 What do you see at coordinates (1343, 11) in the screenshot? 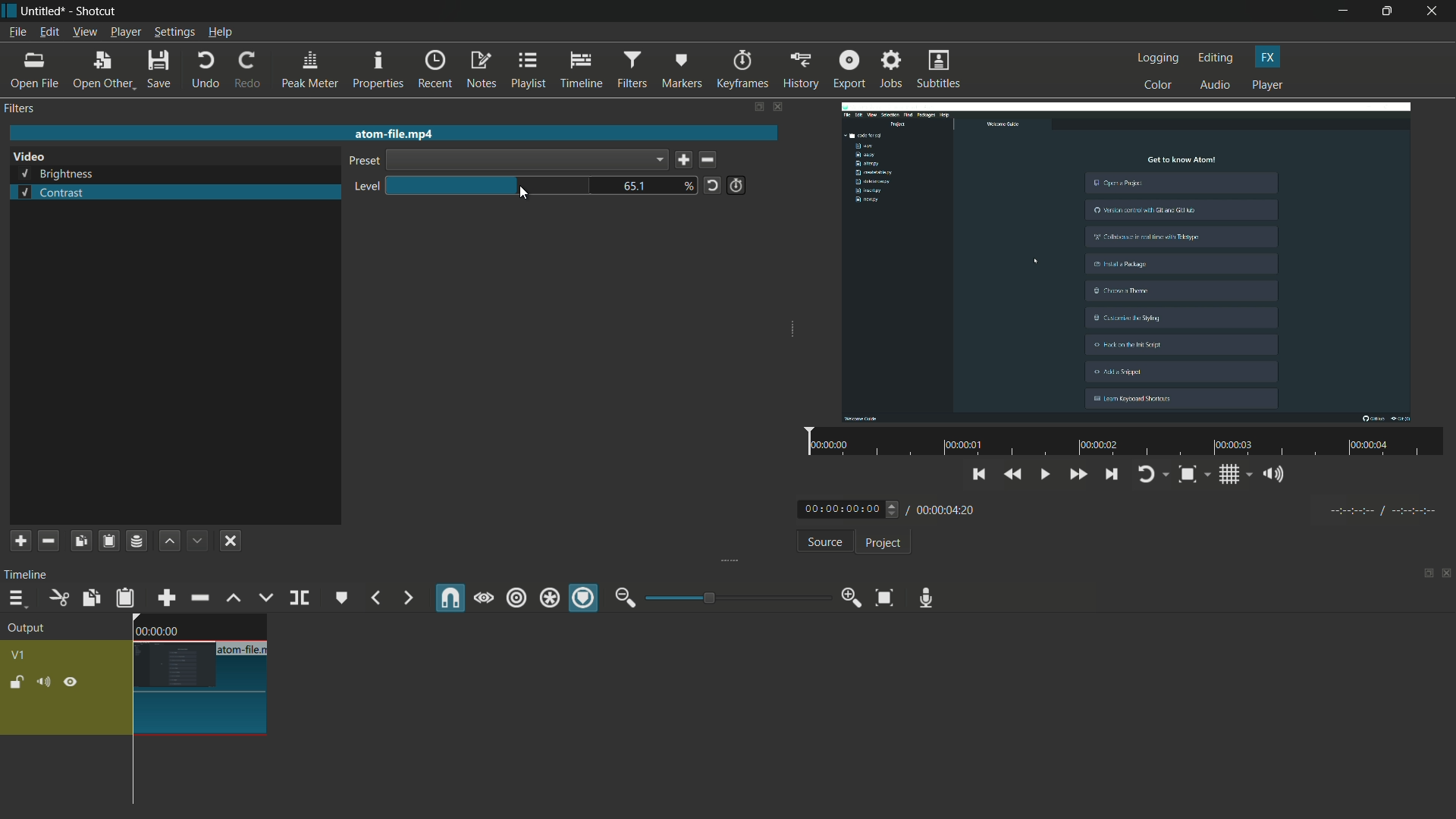
I see `minimize` at bounding box center [1343, 11].